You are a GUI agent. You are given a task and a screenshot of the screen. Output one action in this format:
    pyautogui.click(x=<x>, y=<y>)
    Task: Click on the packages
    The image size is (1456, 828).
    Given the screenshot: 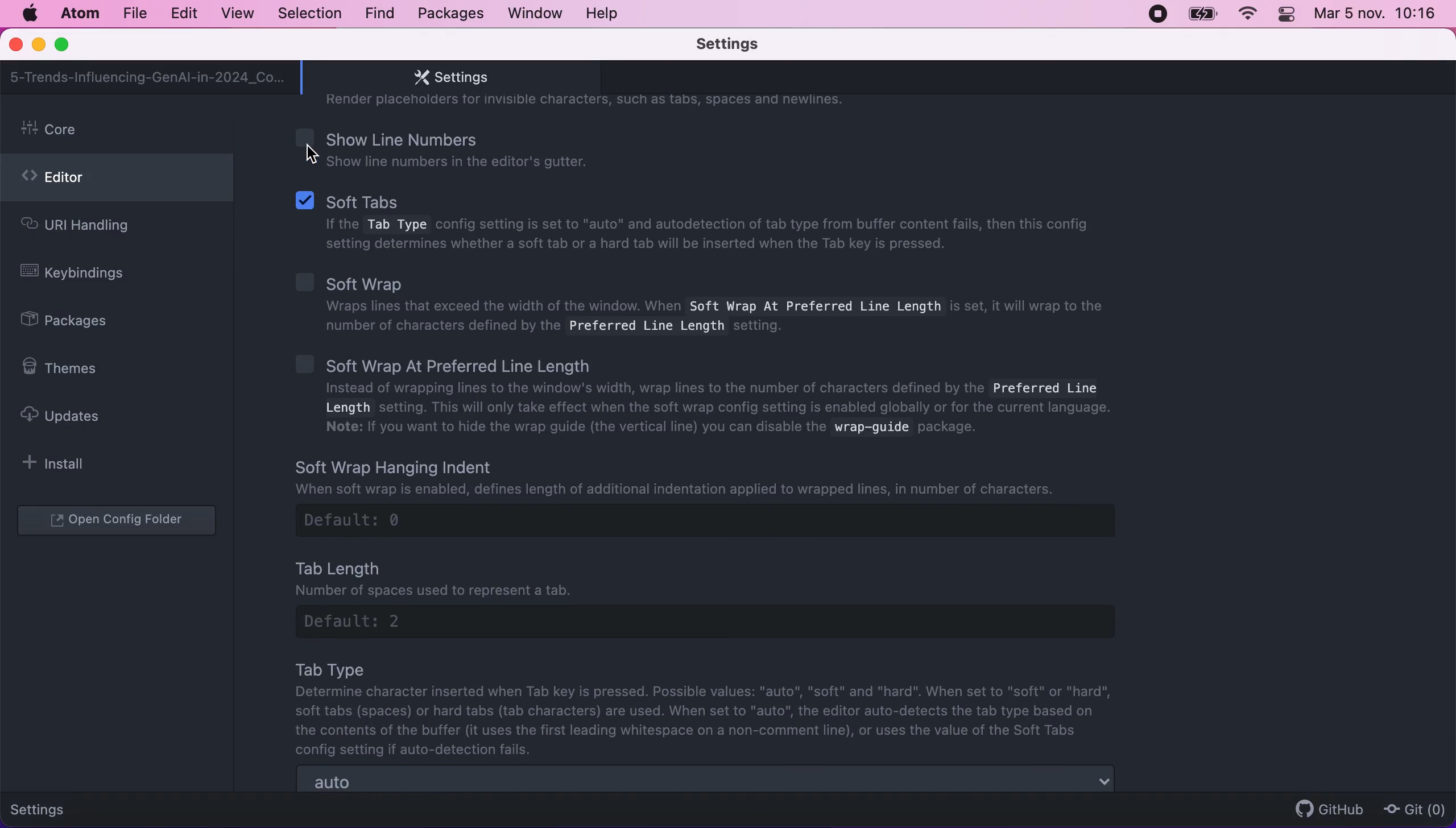 What is the action you would take?
    pyautogui.click(x=77, y=322)
    